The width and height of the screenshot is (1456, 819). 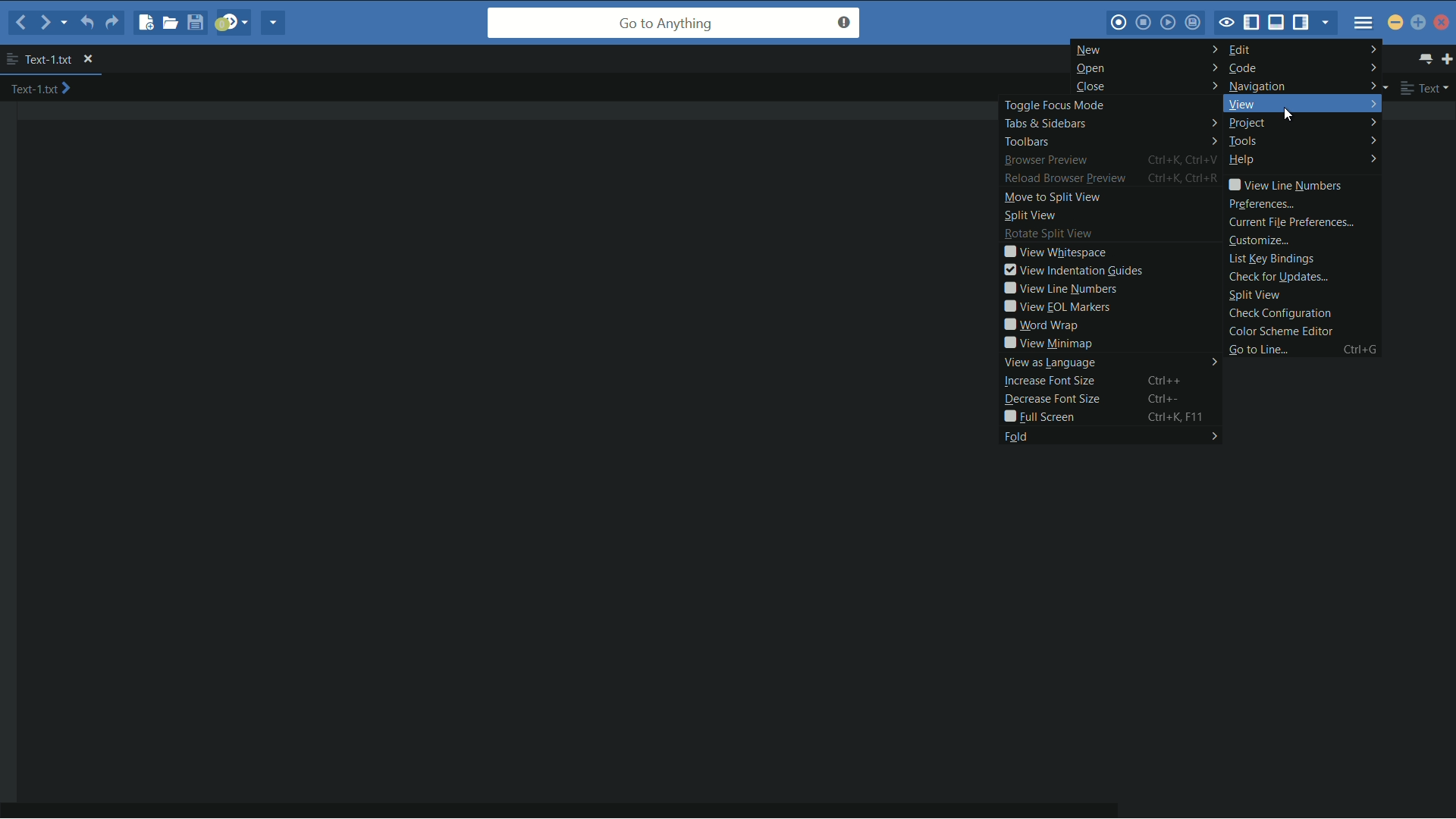 What do you see at coordinates (1167, 398) in the screenshot?
I see `Ctrl+-` at bounding box center [1167, 398].